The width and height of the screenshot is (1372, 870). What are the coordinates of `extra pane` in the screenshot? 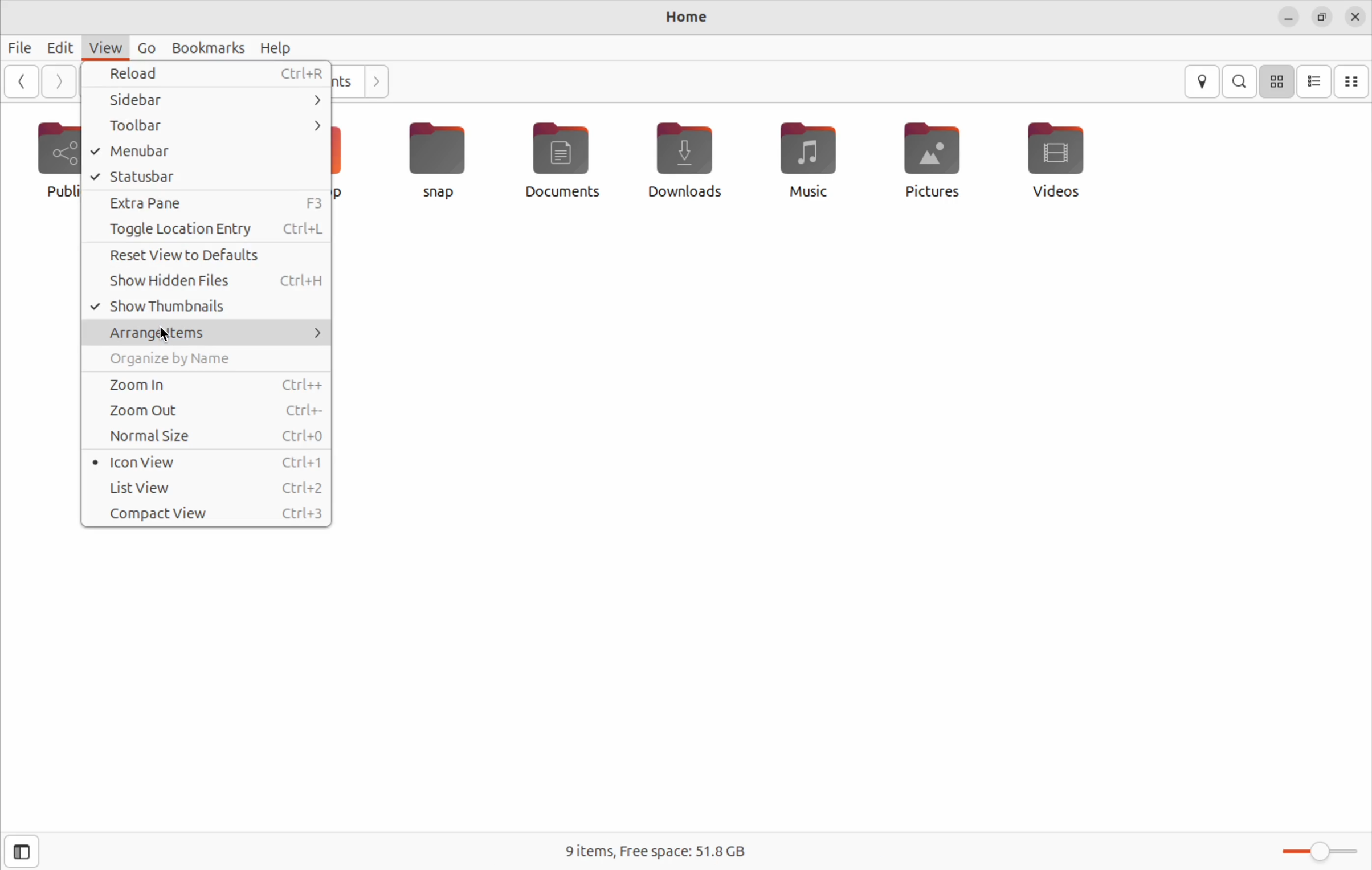 It's located at (208, 204).